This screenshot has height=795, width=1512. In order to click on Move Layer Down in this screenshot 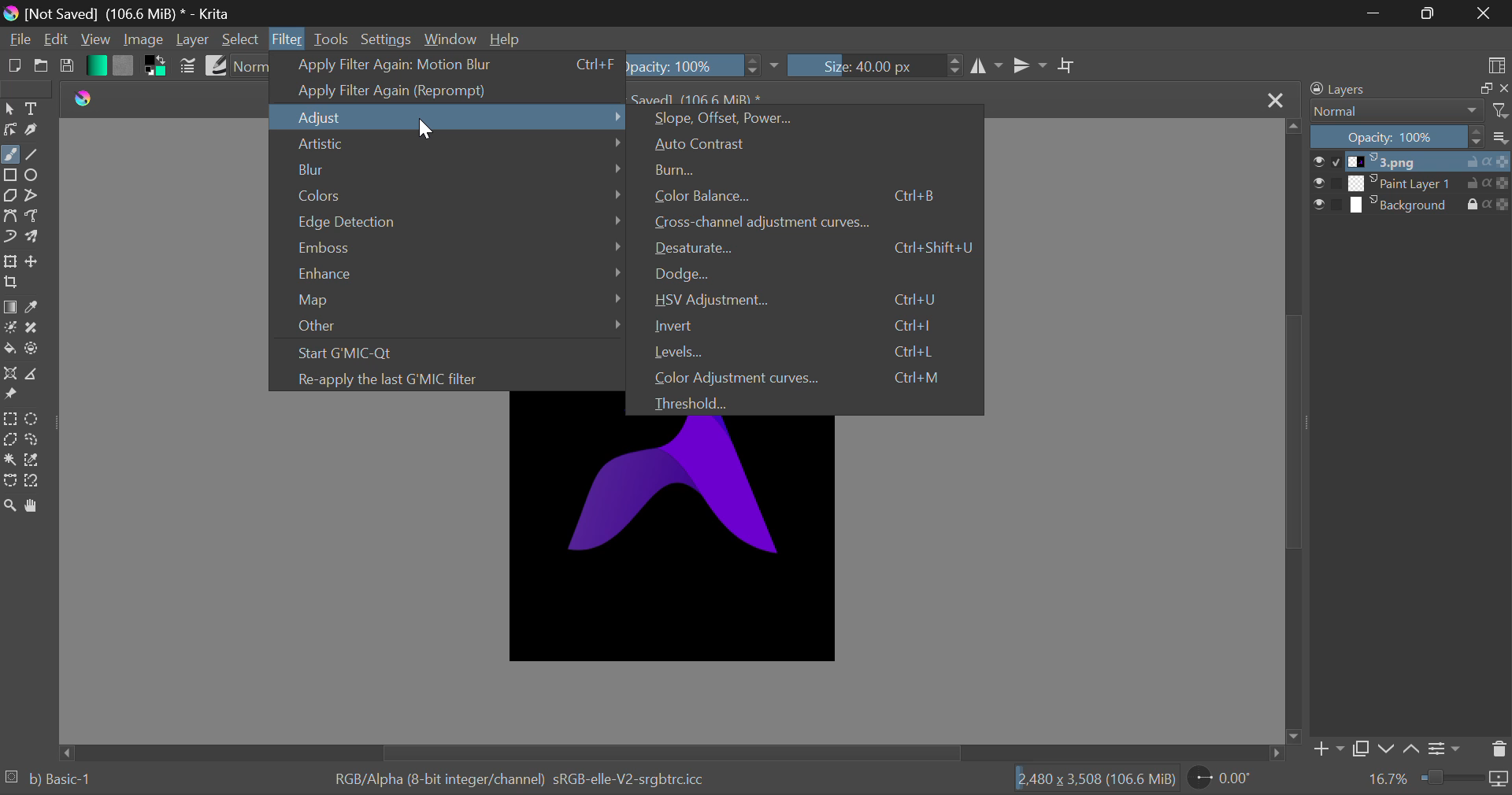, I will do `click(1389, 748)`.